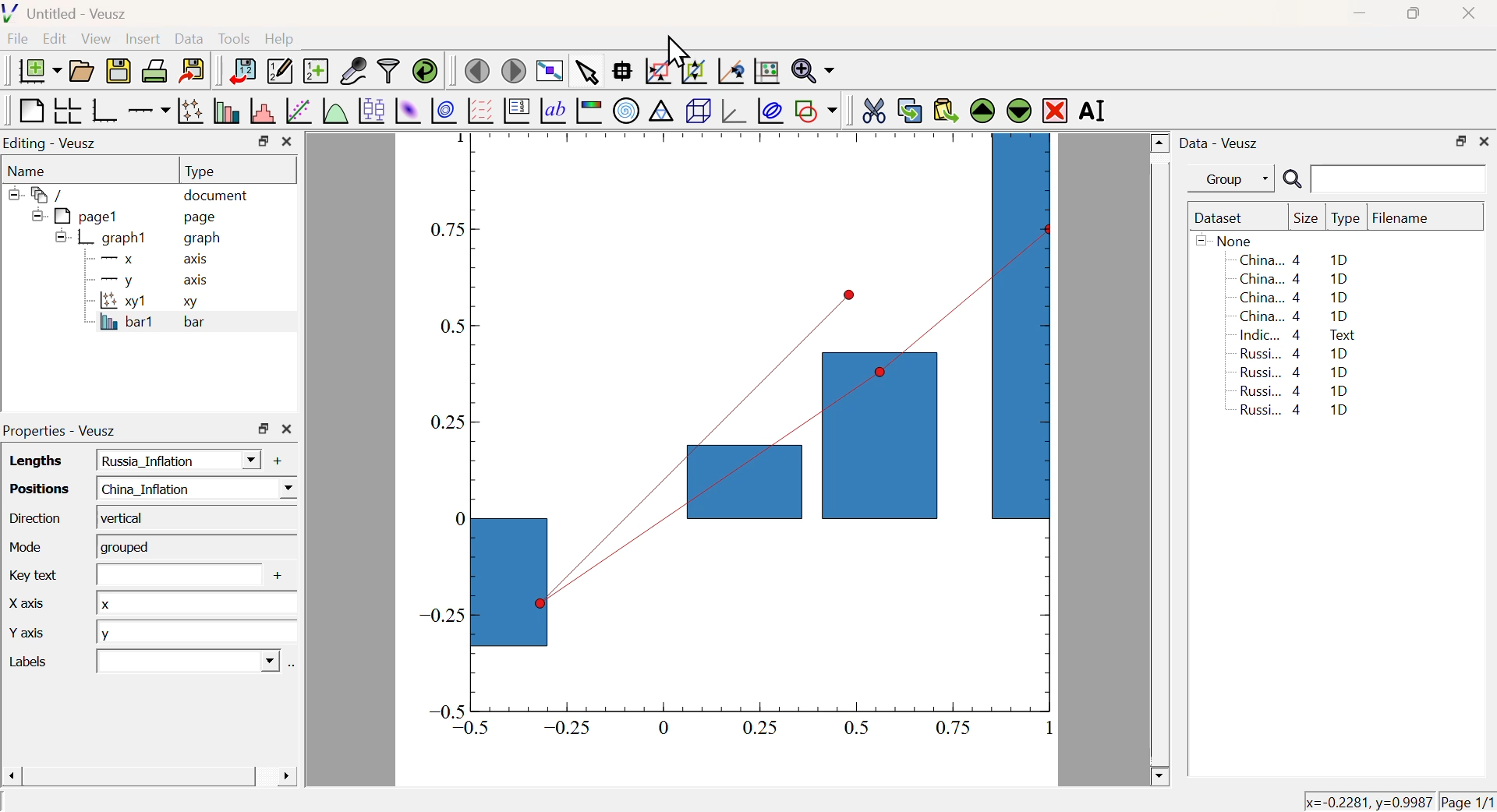 The width and height of the screenshot is (1497, 812). Describe the element at coordinates (35, 517) in the screenshot. I see `Direction` at that location.